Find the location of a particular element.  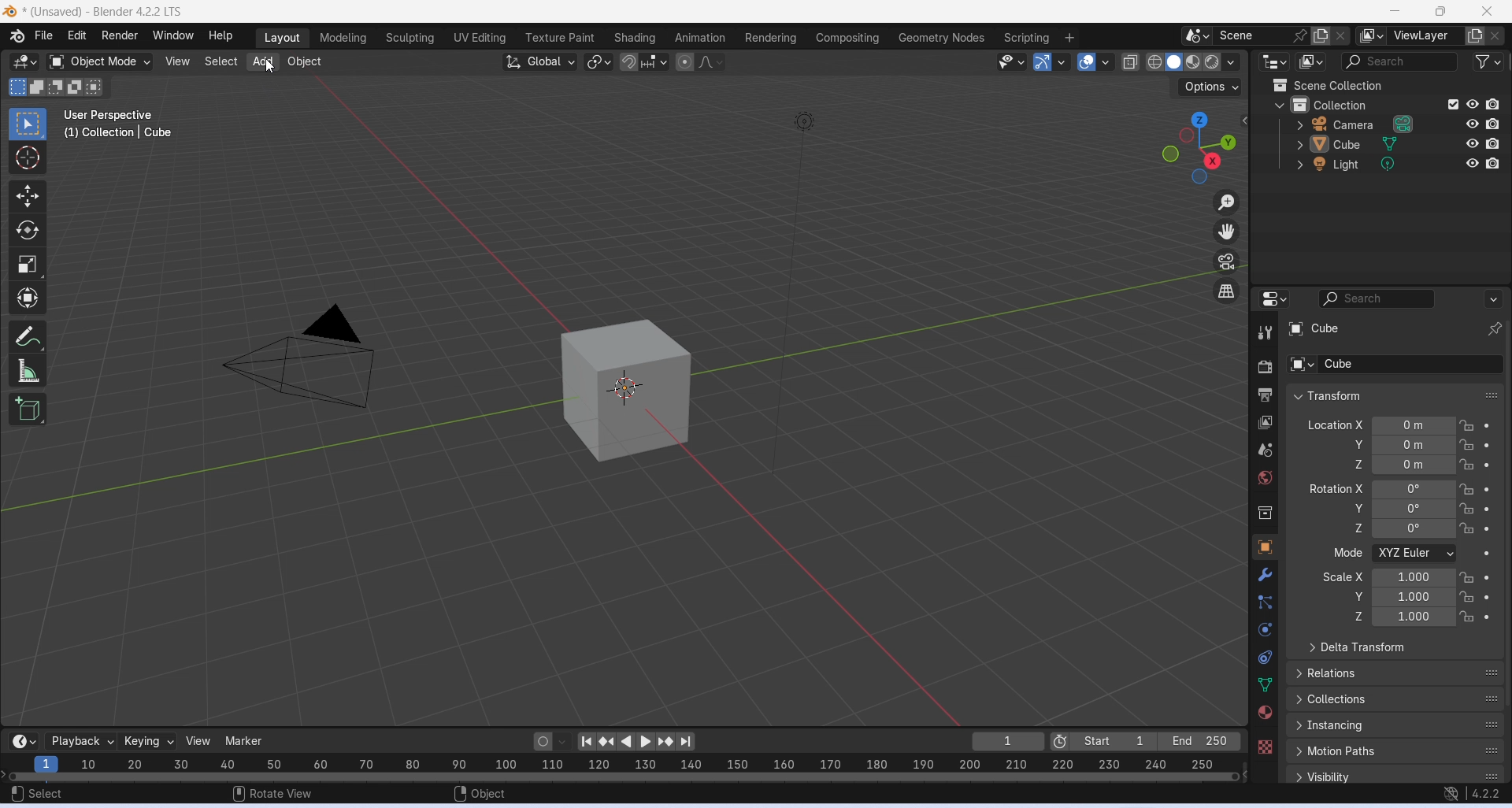

view layer is located at coordinates (1425, 35).